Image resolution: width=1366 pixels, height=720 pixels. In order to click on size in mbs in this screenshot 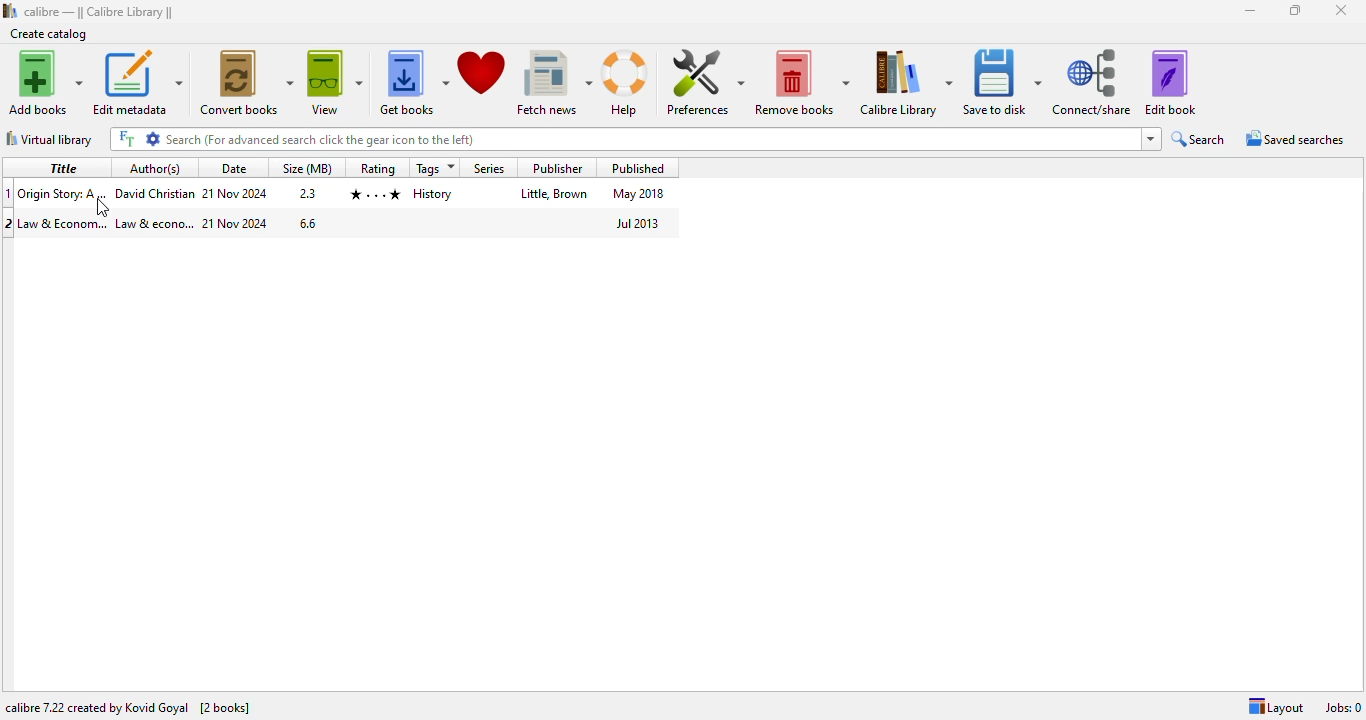, I will do `click(309, 192)`.